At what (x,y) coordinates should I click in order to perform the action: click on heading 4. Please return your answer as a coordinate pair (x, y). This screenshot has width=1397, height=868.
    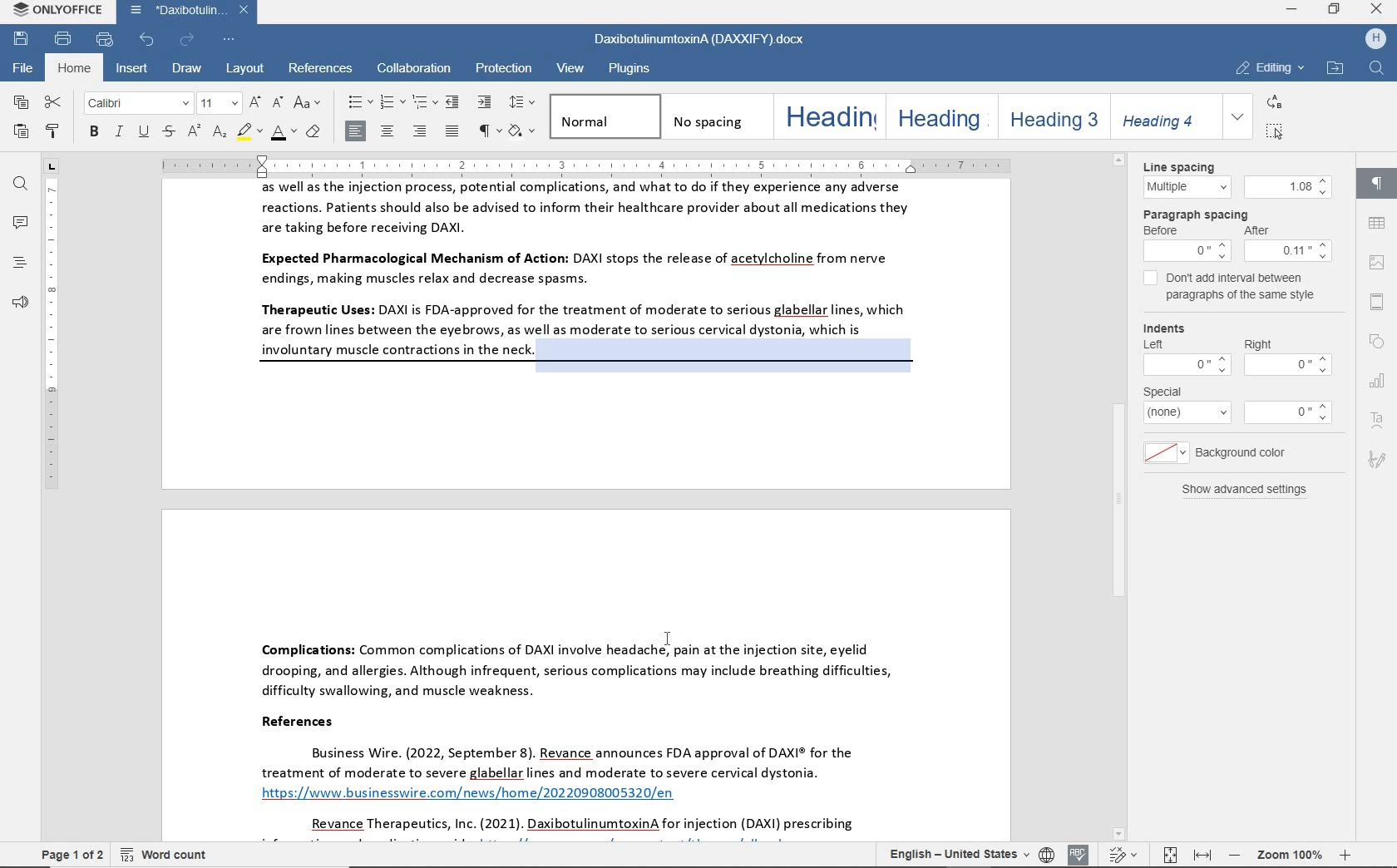
    Looking at the image, I should click on (1161, 116).